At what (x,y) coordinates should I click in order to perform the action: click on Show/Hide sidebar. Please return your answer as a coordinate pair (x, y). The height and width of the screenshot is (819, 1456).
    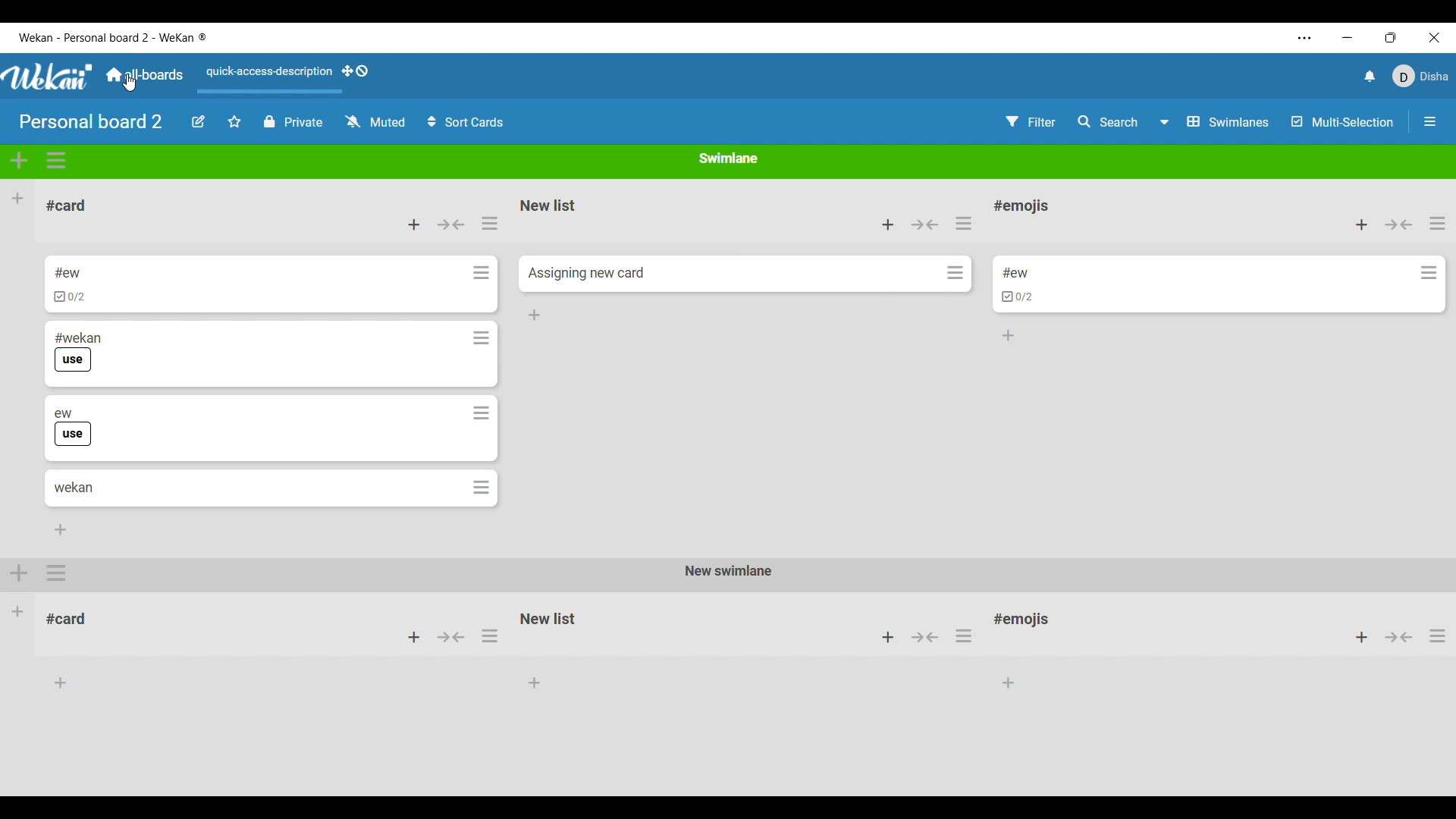
    Looking at the image, I should click on (1430, 121).